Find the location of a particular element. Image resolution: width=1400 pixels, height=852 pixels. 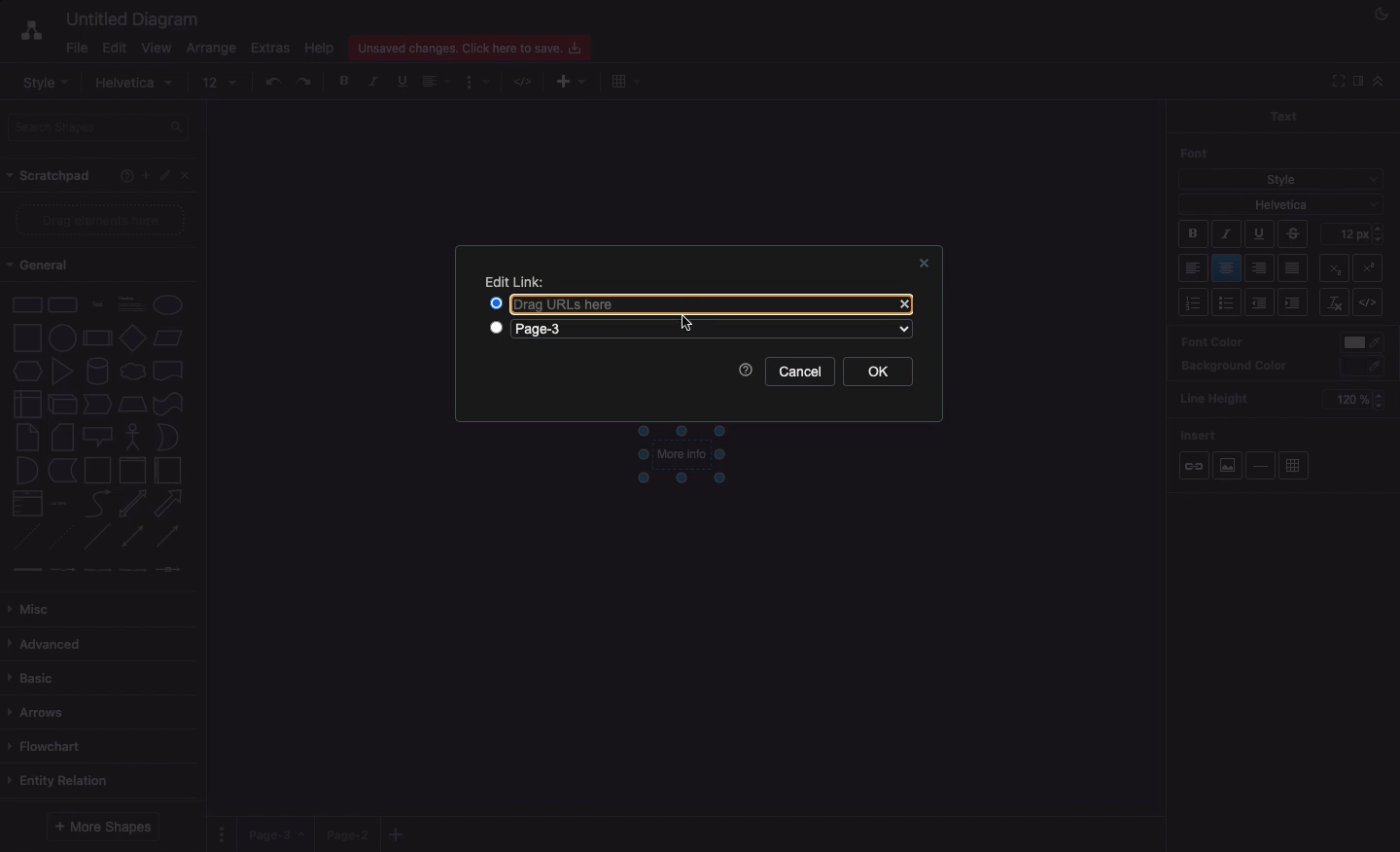

trapezoid is located at coordinates (132, 405).